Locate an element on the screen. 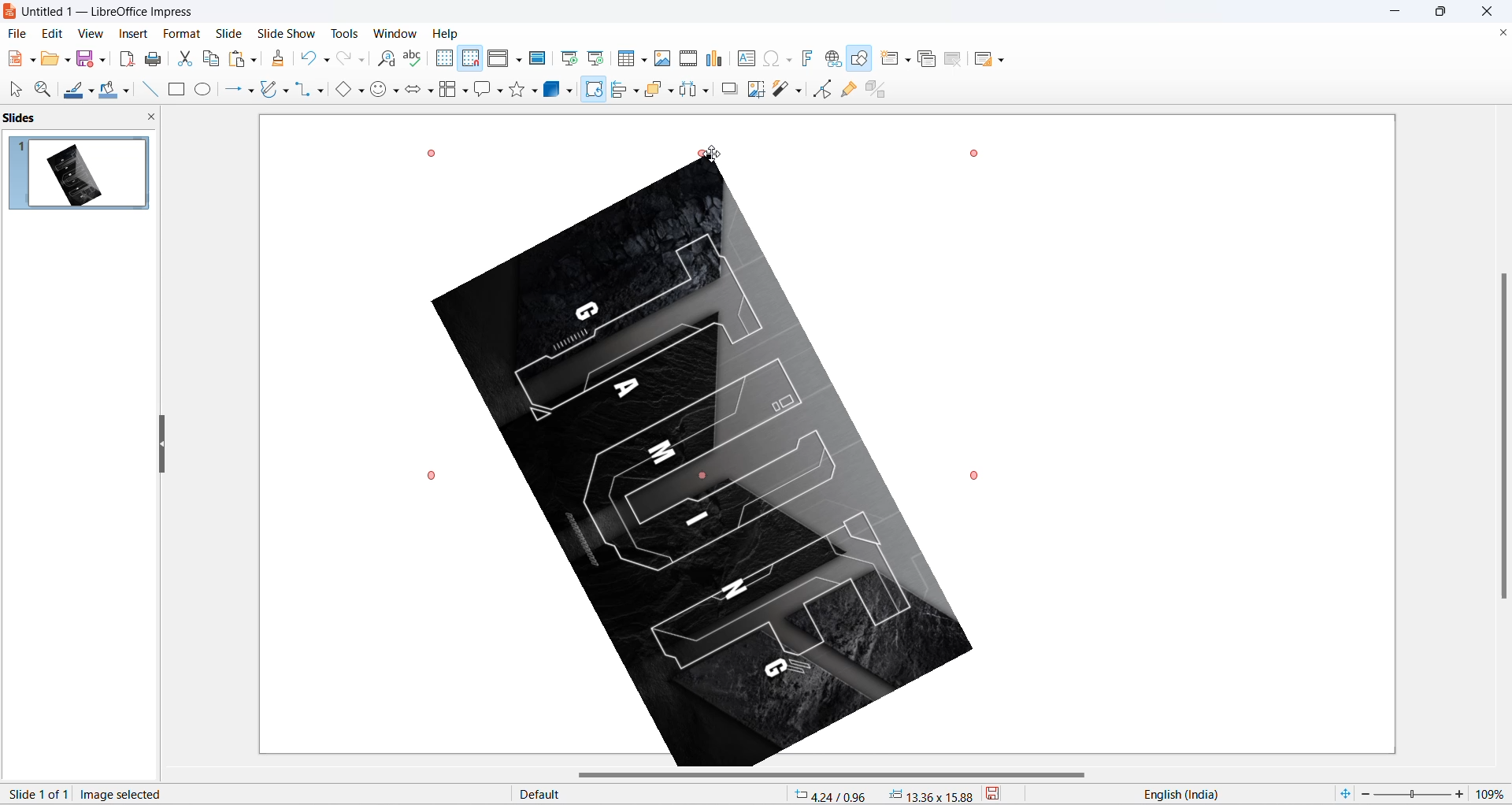 Image resolution: width=1512 pixels, height=805 pixels. zoom decrease is located at coordinates (1363, 796).